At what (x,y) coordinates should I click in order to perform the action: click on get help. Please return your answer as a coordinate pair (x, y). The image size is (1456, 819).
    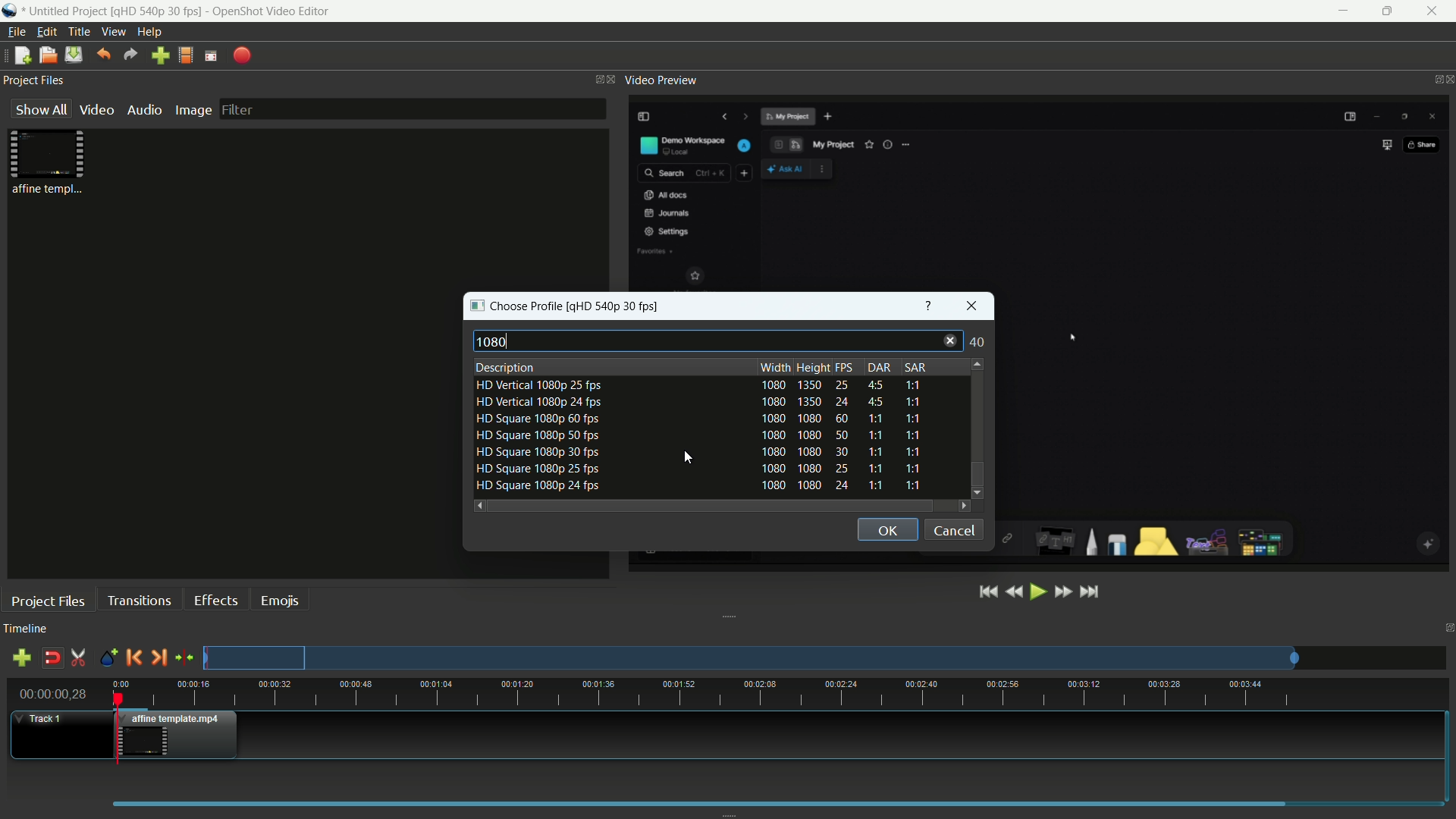
    Looking at the image, I should click on (930, 304).